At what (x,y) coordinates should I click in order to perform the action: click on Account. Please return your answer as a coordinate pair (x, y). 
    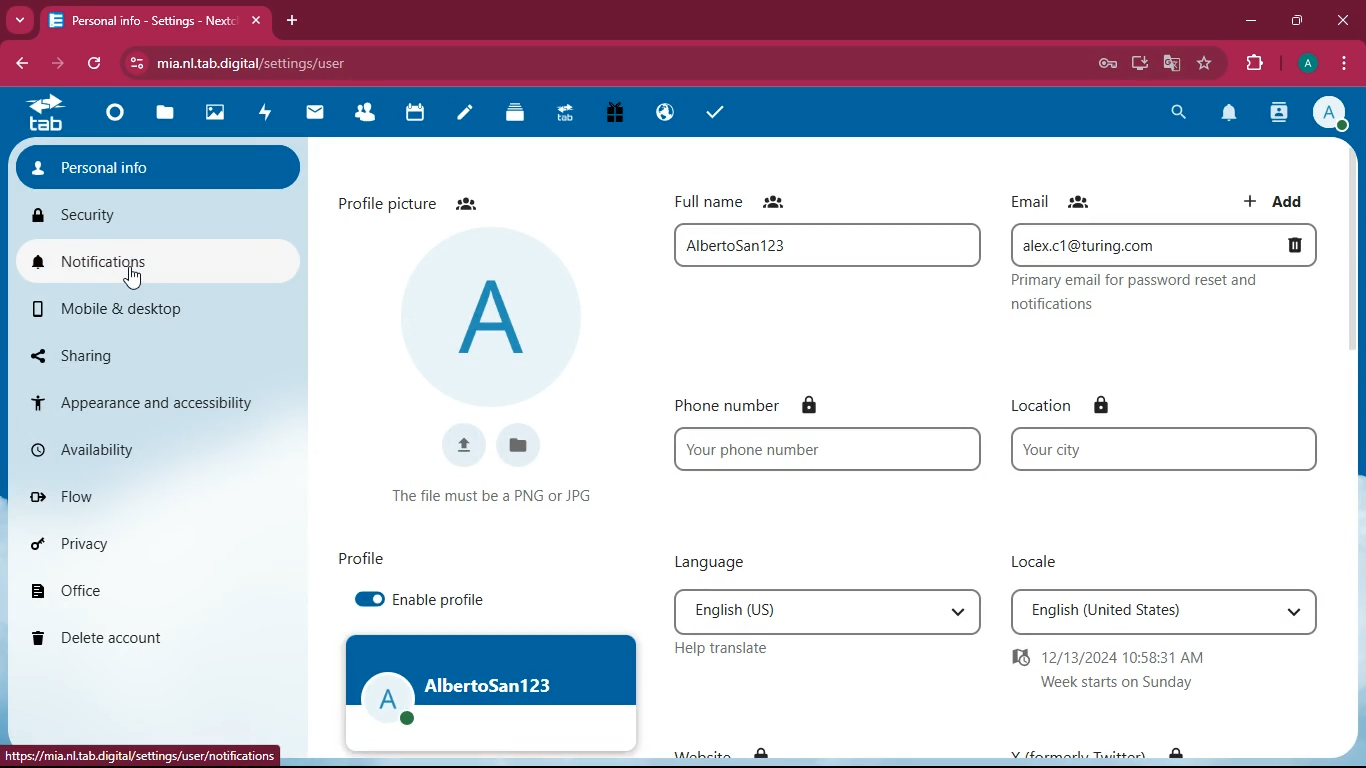
    Looking at the image, I should click on (1330, 112).